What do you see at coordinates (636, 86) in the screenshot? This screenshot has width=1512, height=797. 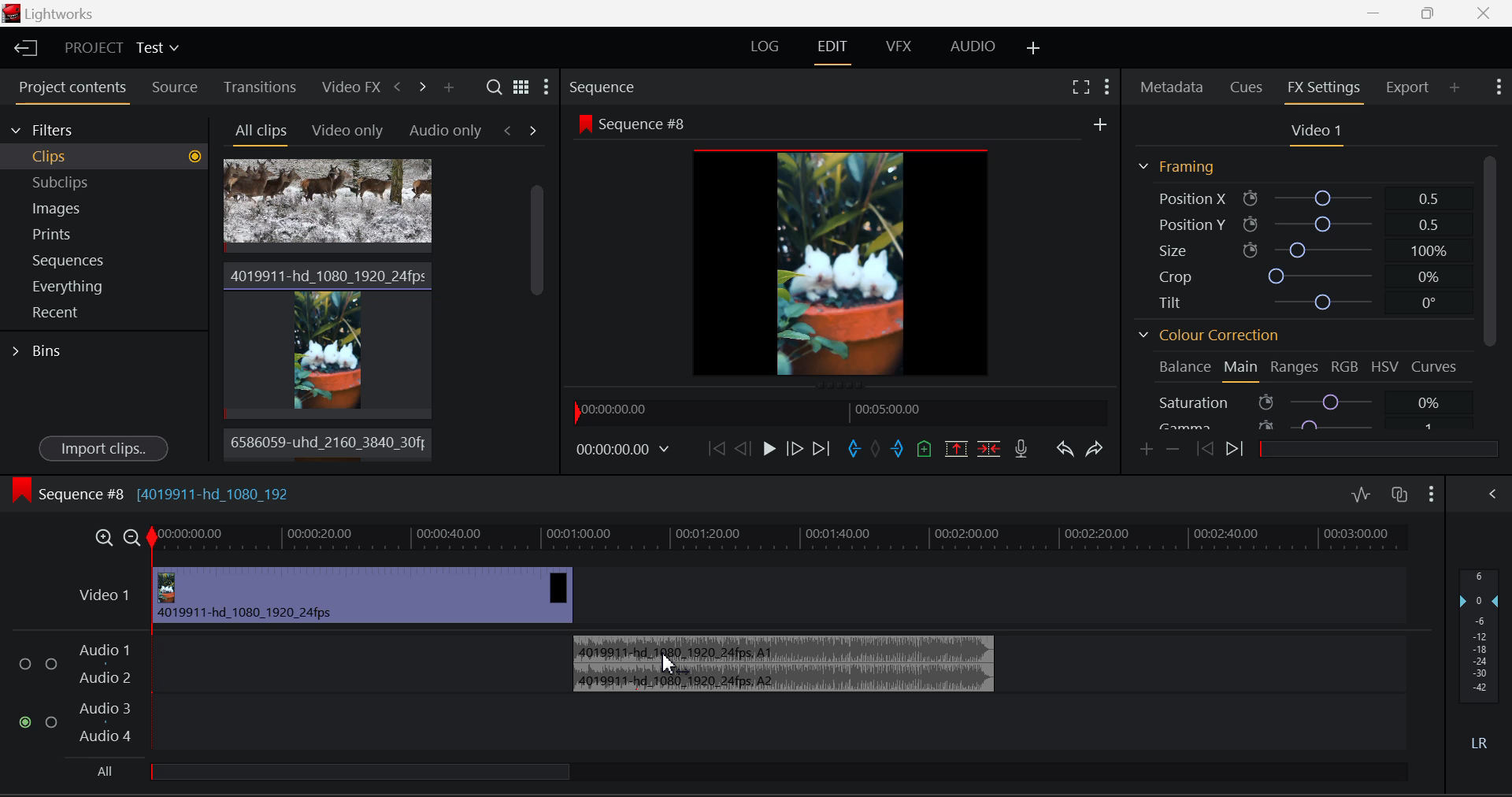 I see `Sequence Preview Section` at bounding box center [636, 86].